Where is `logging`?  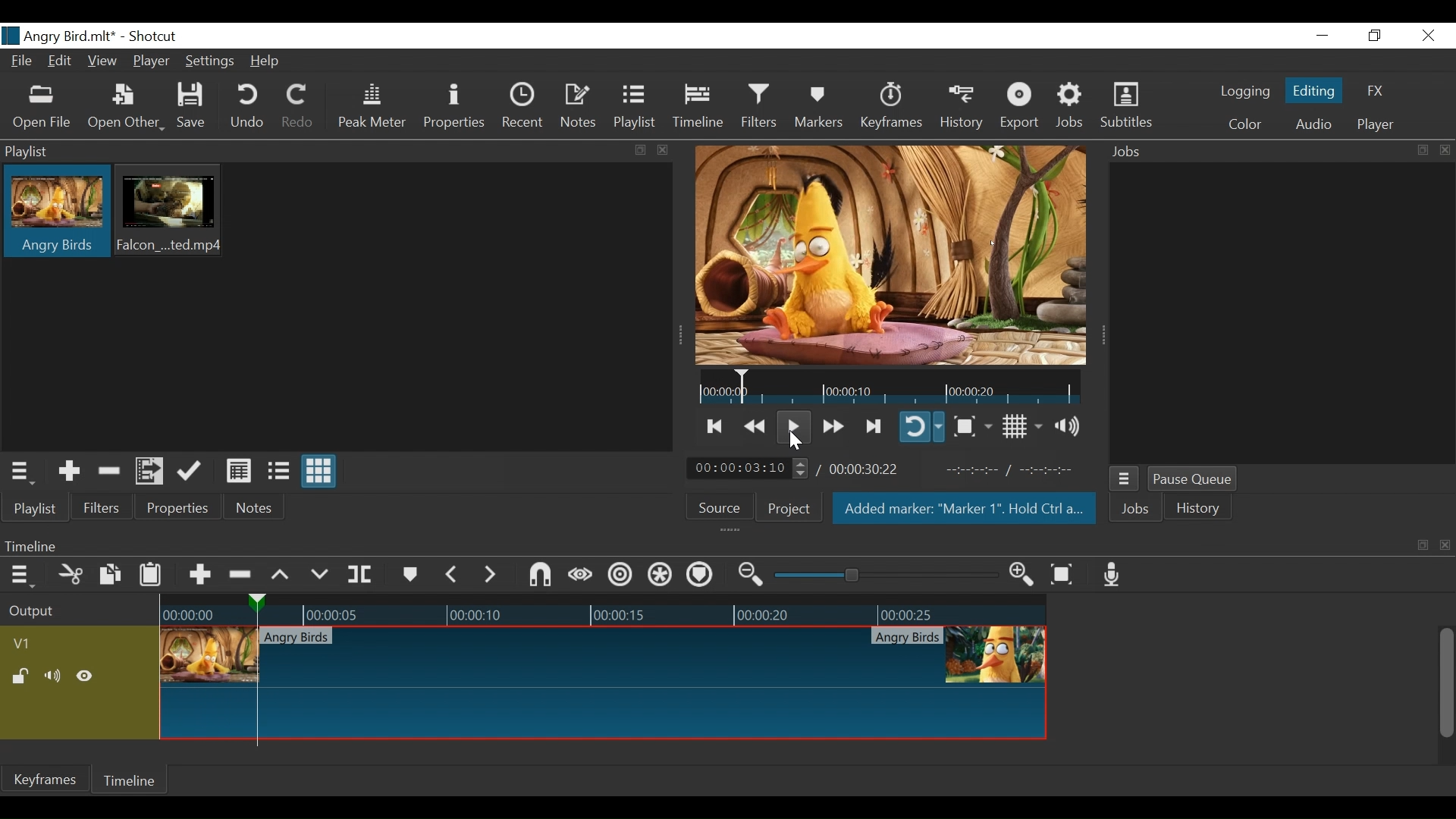
logging is located at coordinates (1245, 93).